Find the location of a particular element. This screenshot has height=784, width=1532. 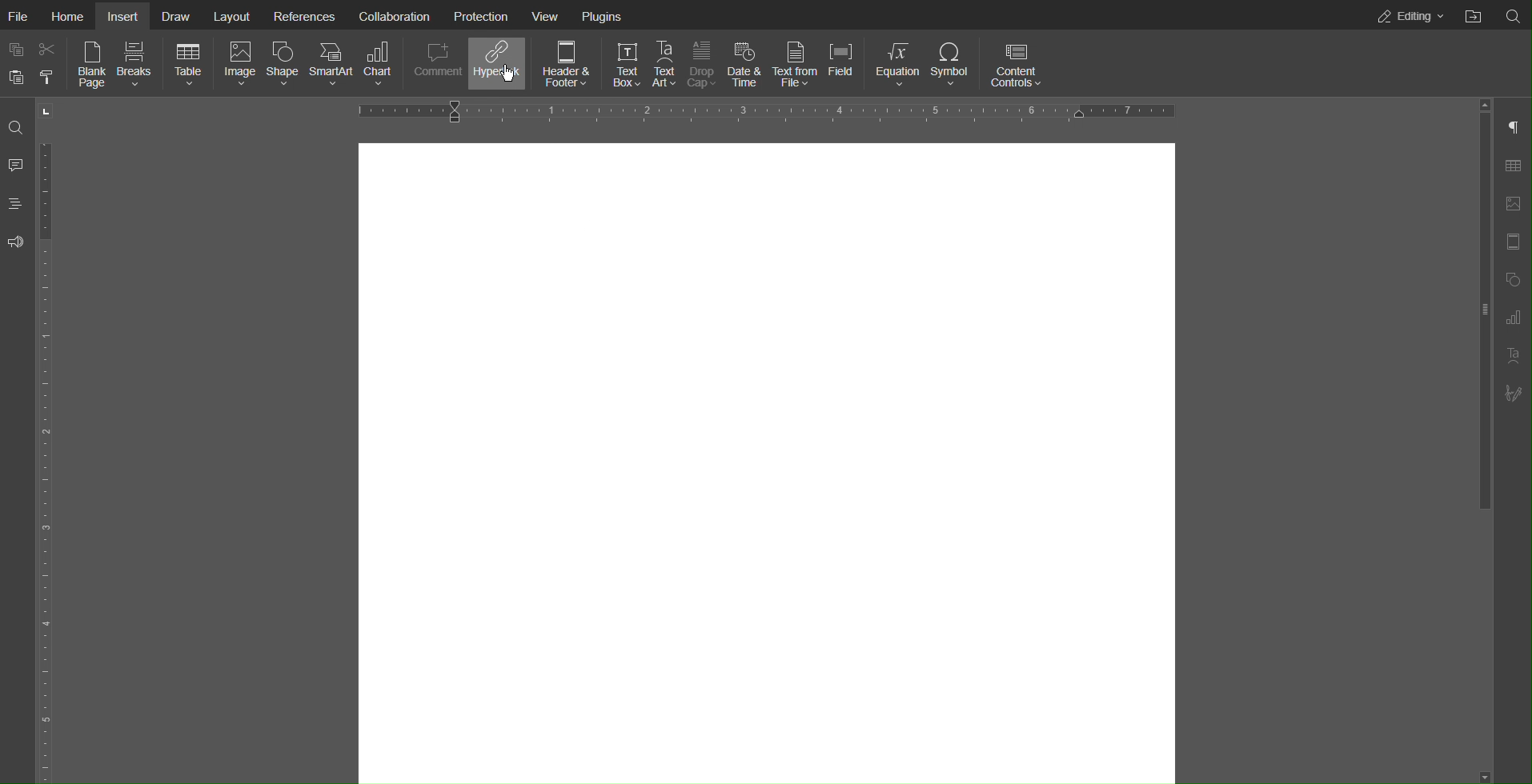

Text from File is located at coordinates (797, 66).